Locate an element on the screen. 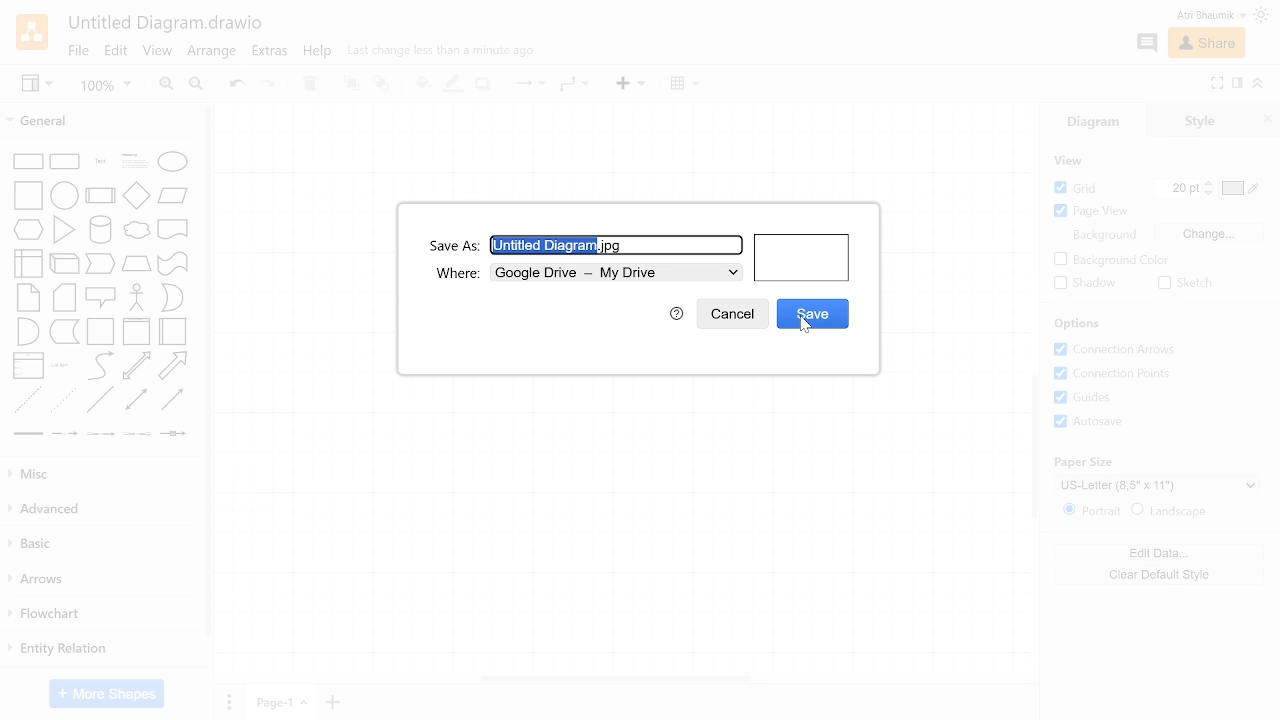 The width and height of the screenshot is (1280, 720). Options is located at coordinates (1078, 325).